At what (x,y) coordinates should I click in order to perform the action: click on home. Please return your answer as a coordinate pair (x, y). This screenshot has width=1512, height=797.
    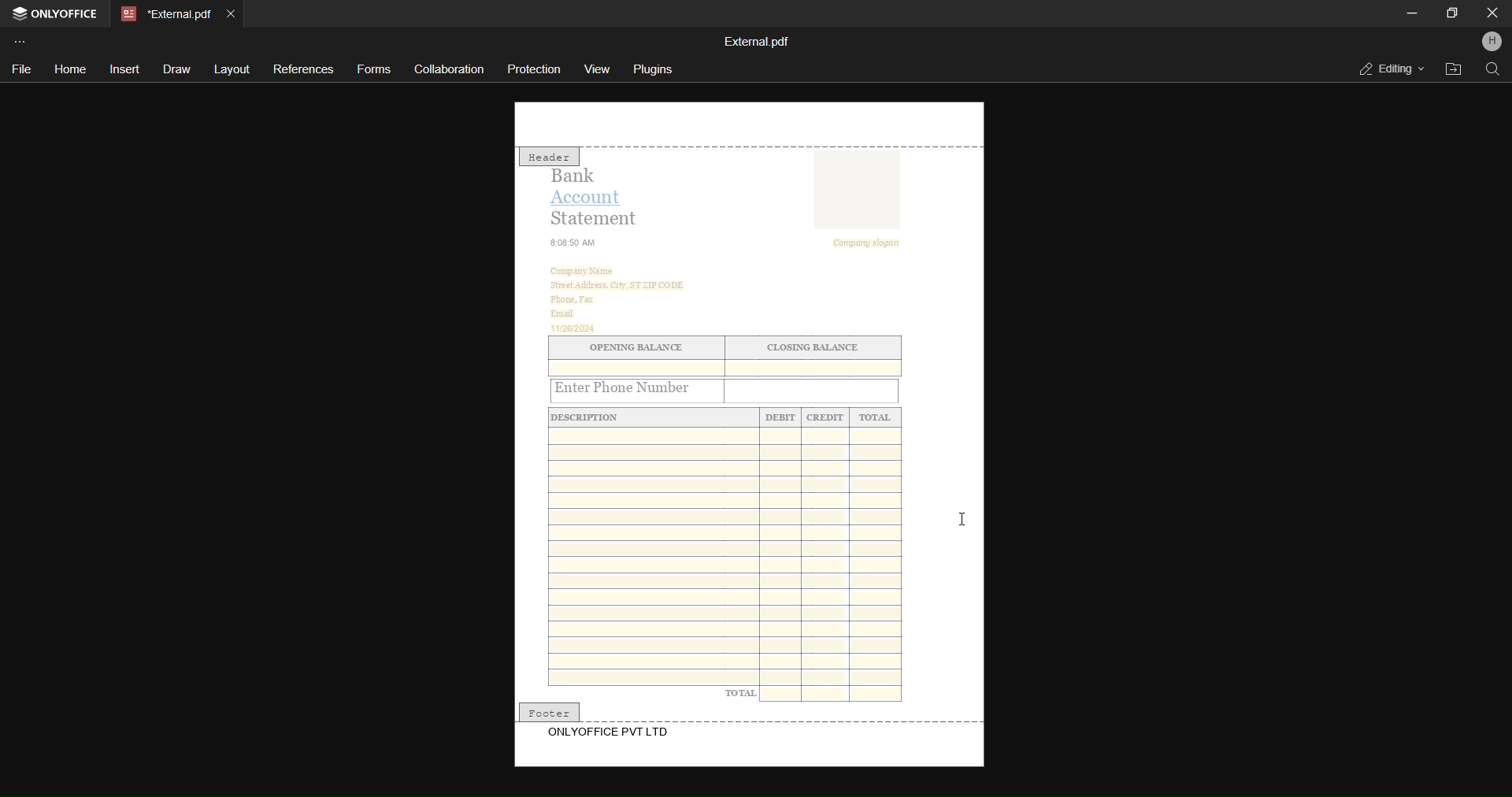
    Looking at the image, I should click on (70, 70).